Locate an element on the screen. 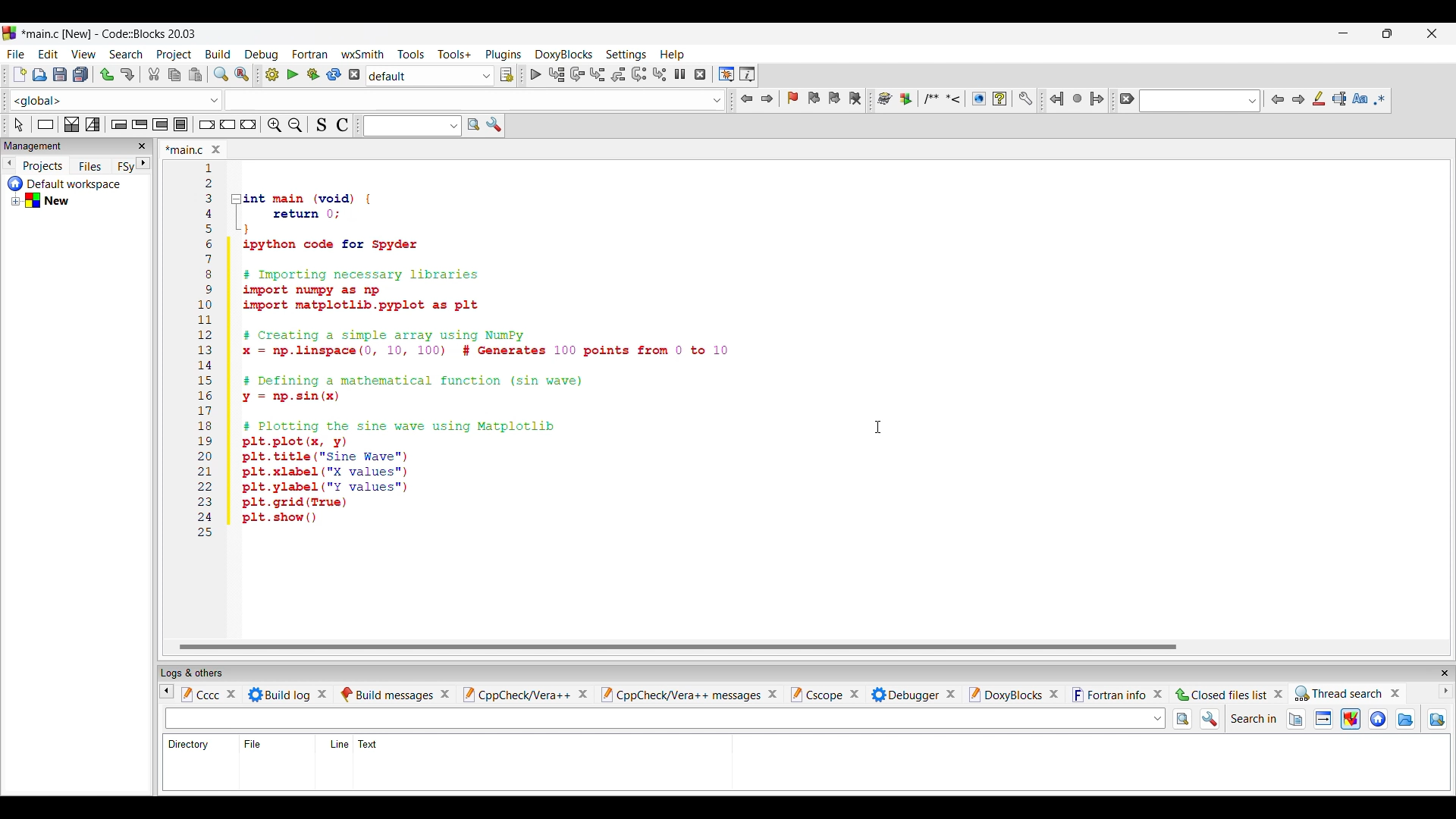 The height and width of the screenshot is (819, 1456). Selection is located at coordinates (96, 127).